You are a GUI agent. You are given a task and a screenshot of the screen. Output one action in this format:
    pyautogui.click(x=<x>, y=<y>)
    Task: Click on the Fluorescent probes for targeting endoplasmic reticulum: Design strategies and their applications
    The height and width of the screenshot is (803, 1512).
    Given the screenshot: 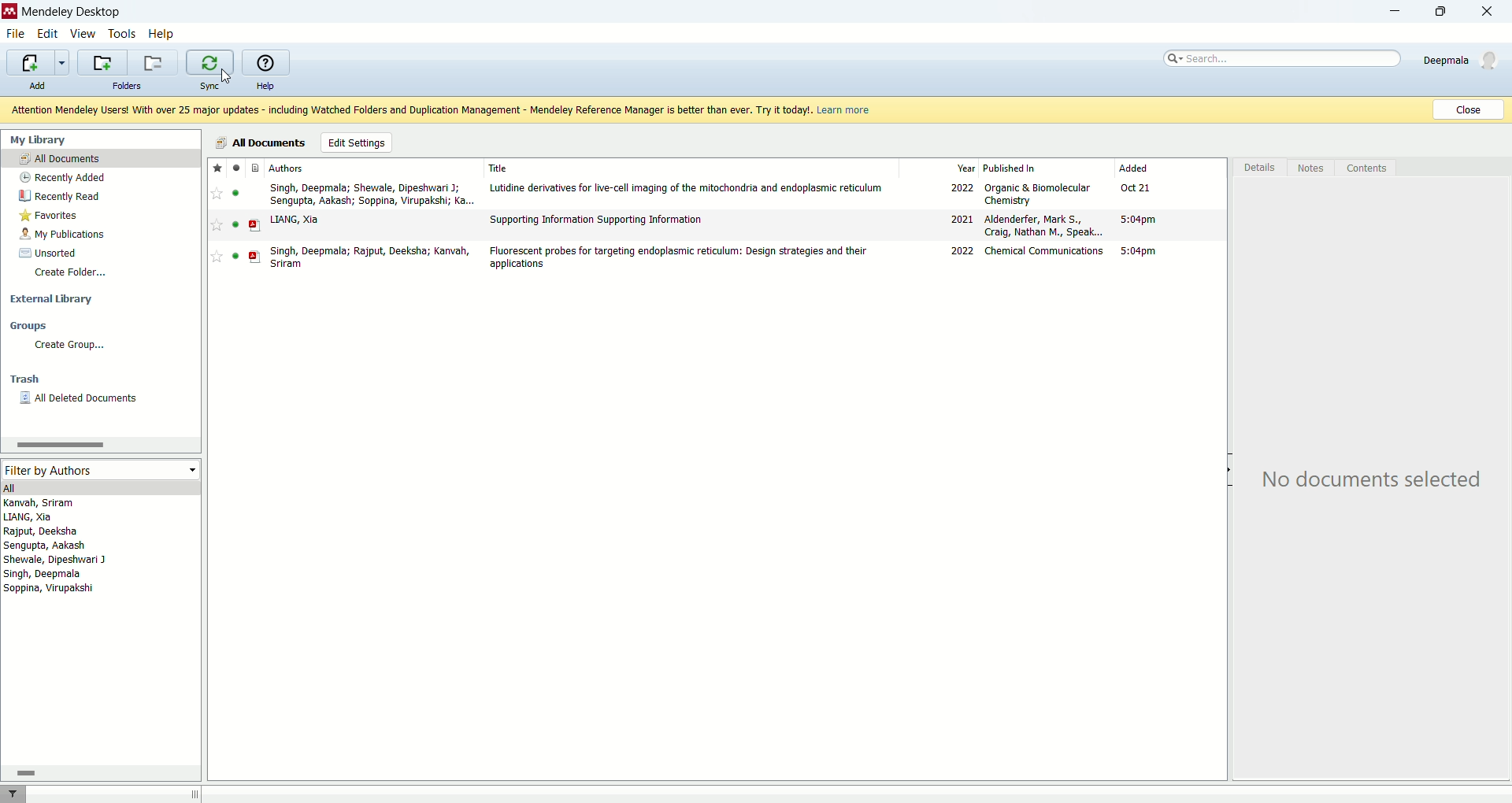 What is the action you would take?
    pyautogui.click(x=680, y=258)
    